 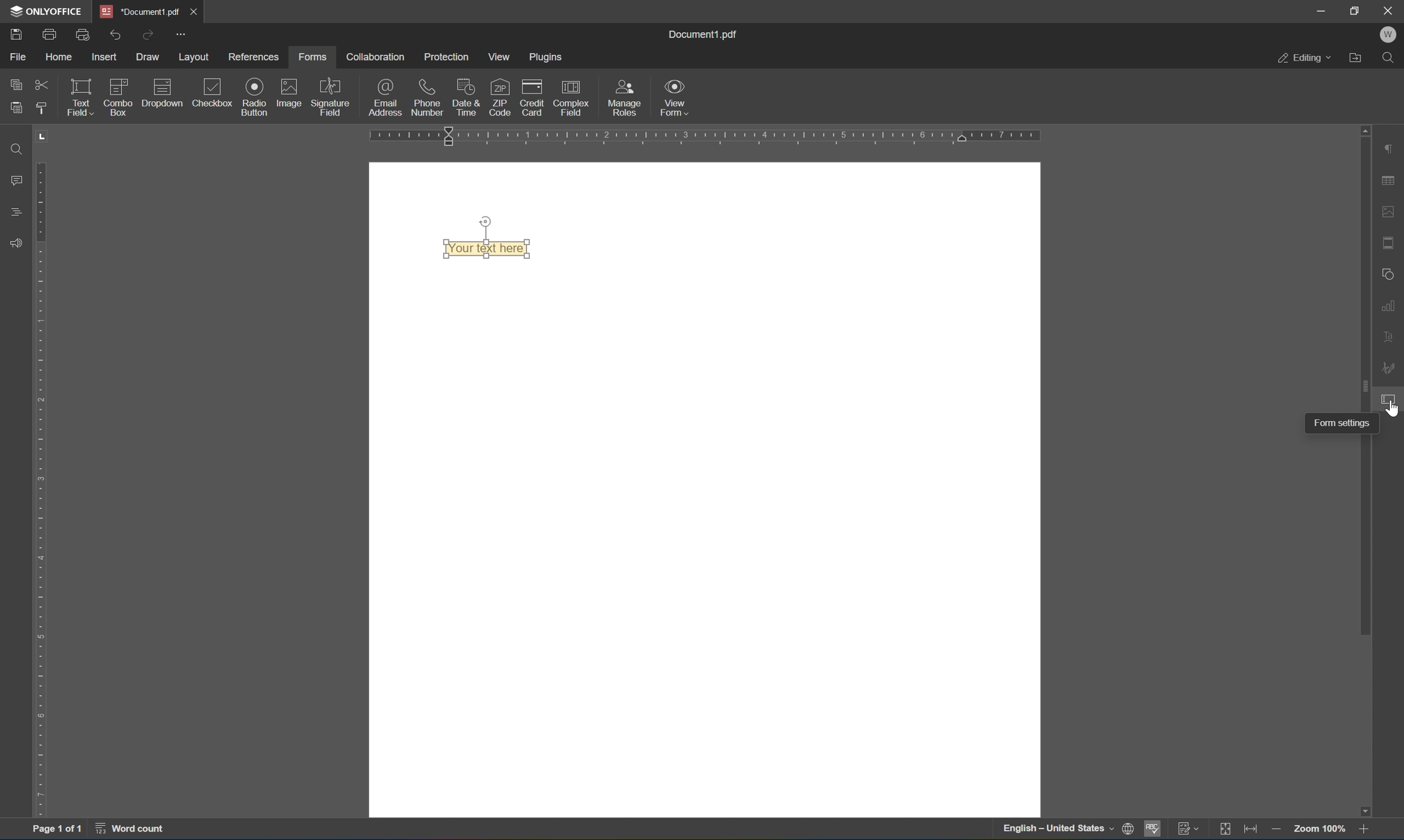 What do you see at coordinates (17, 245) in the screenshot?
I see `feedback and support` at bounding box center [17, 245].